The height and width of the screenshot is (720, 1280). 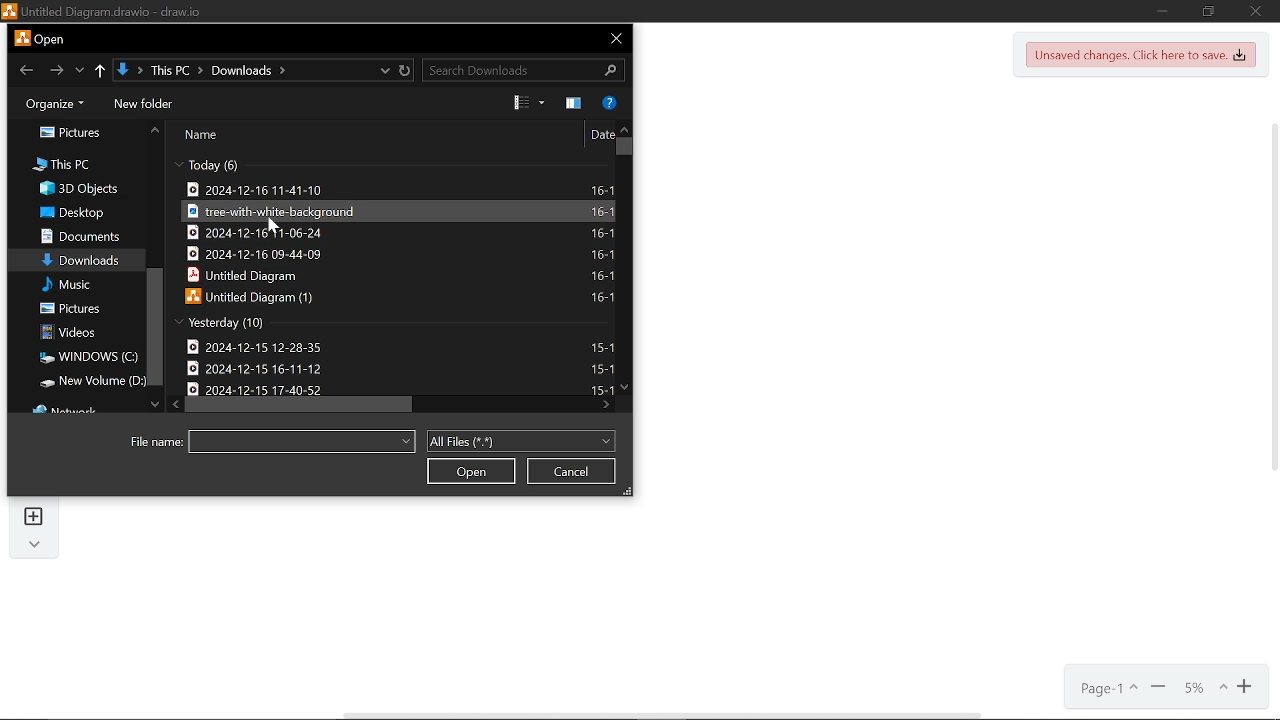 I want to click on downloads, so click(x=80, y=261).